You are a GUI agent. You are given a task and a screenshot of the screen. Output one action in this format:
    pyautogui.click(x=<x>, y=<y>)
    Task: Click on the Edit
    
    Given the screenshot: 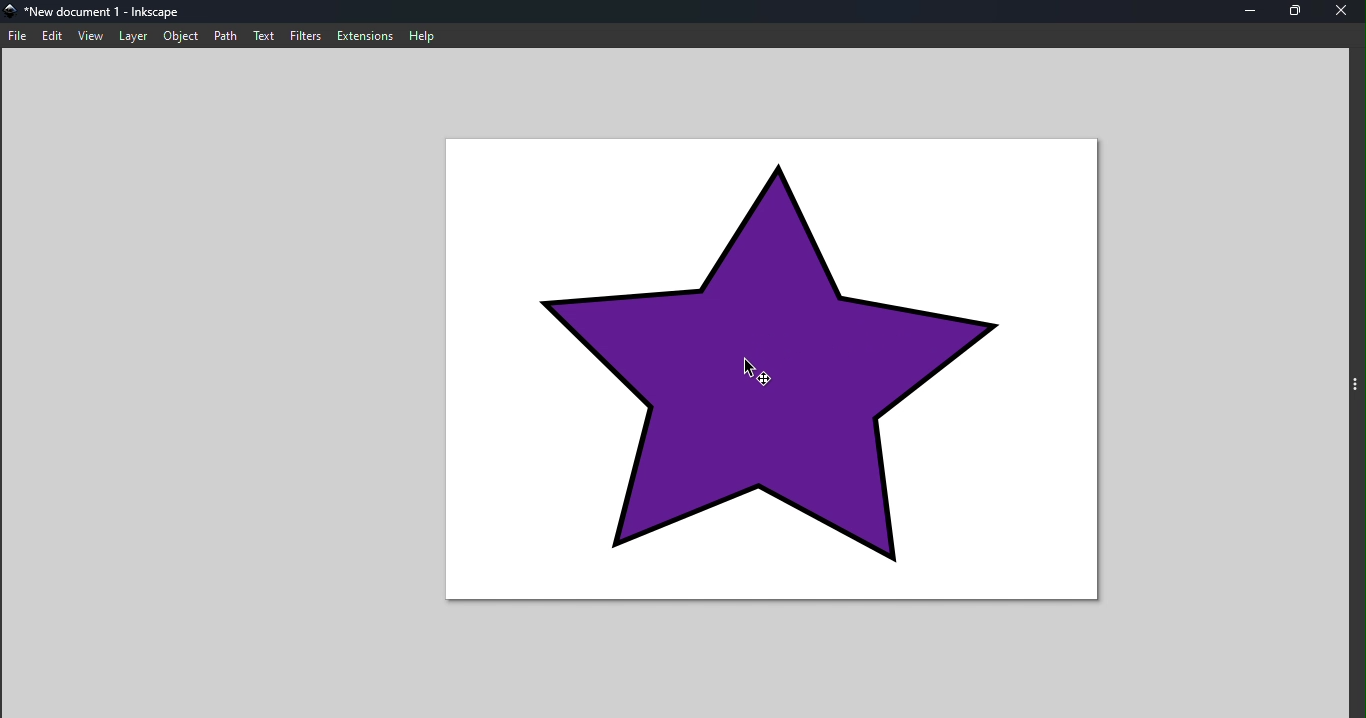 What is the action you would take?
    pyautogui.click(x=56, y=36)
    